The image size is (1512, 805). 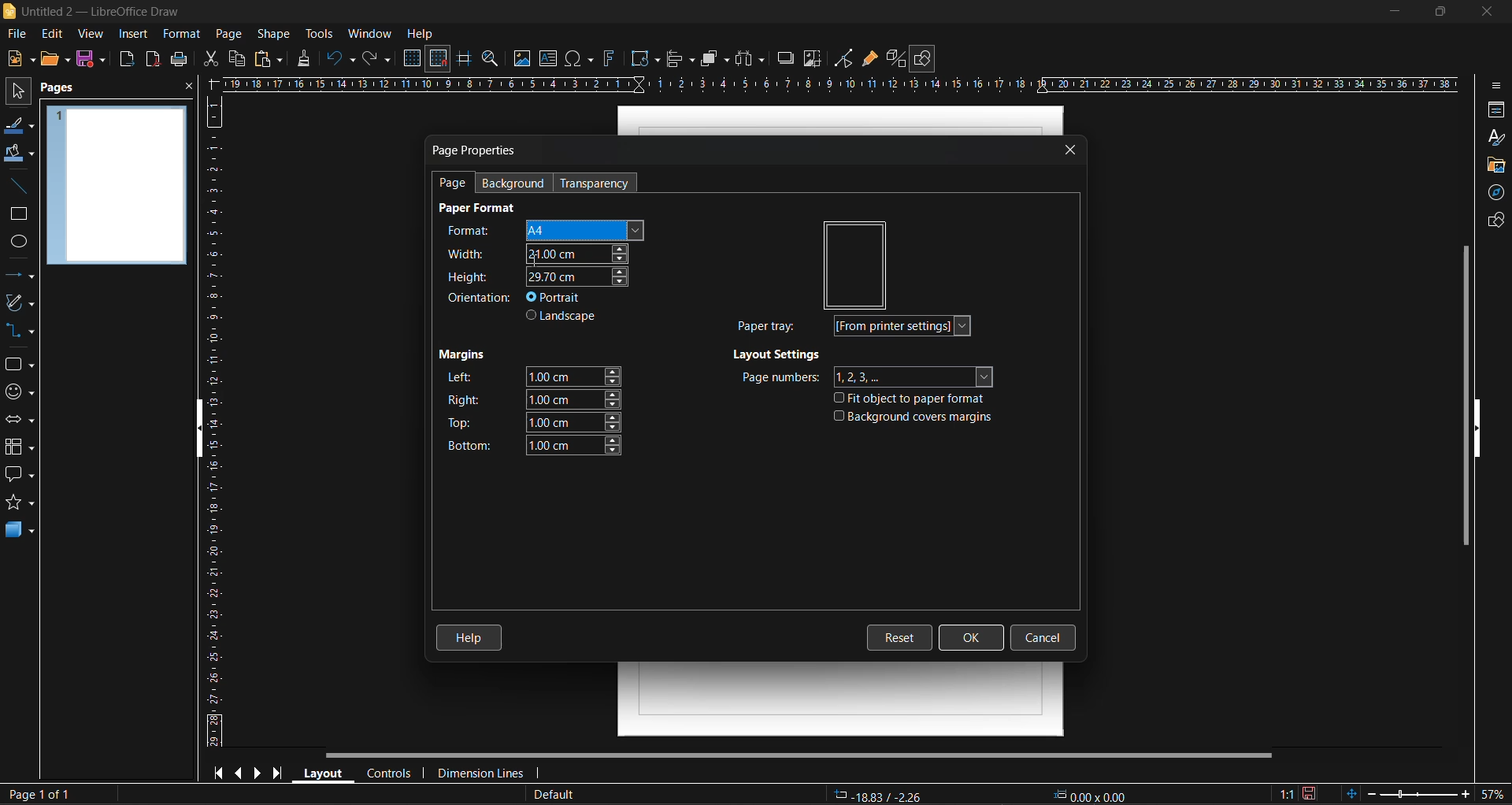 What do you see at coordinates (846, 60) in the screenshot?
I see `toggle point` at bounding box center [846, 60].